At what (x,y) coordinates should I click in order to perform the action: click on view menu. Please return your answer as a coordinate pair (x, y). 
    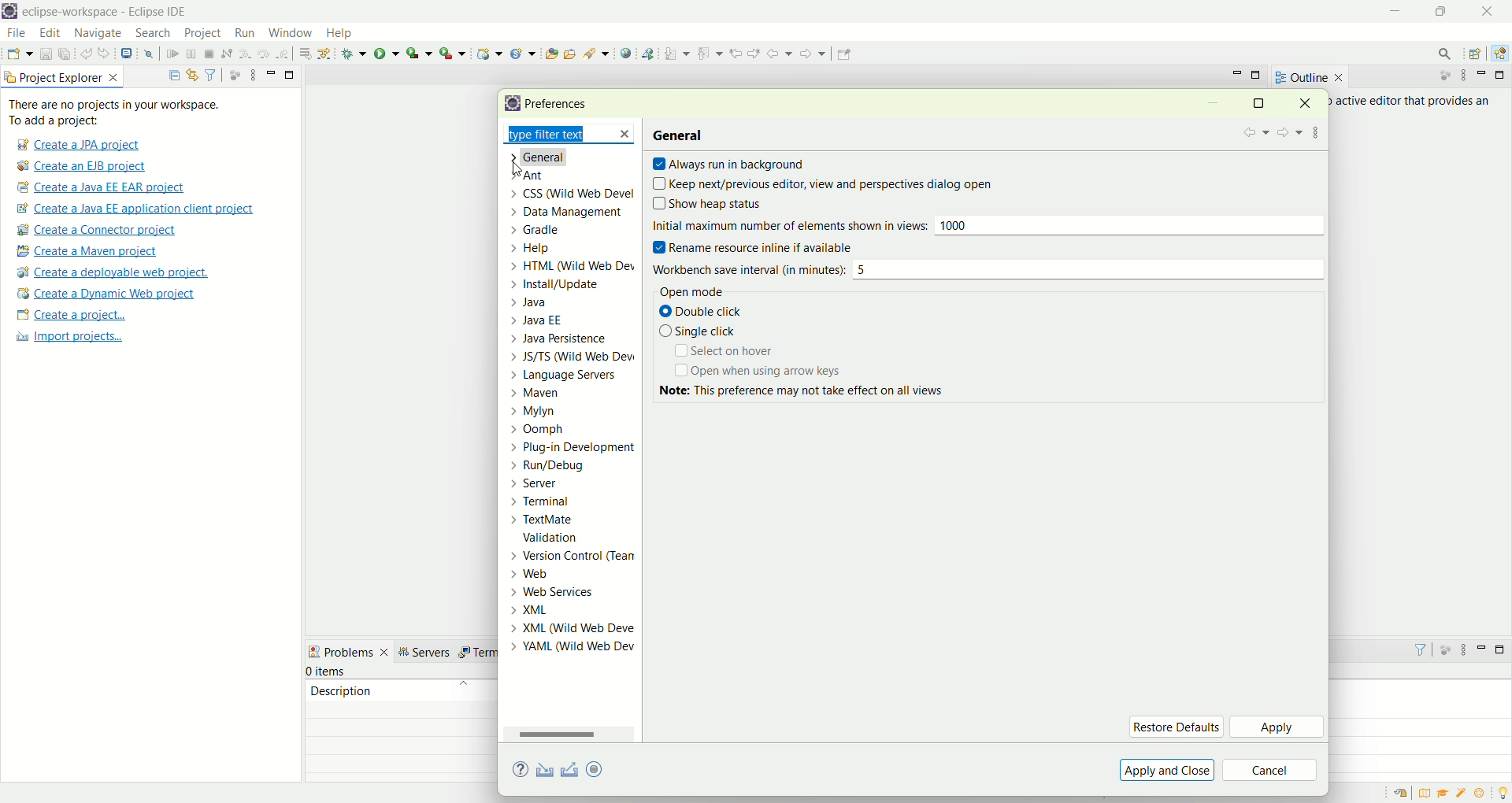
    Looking at the image, I should click on (1317, 130).